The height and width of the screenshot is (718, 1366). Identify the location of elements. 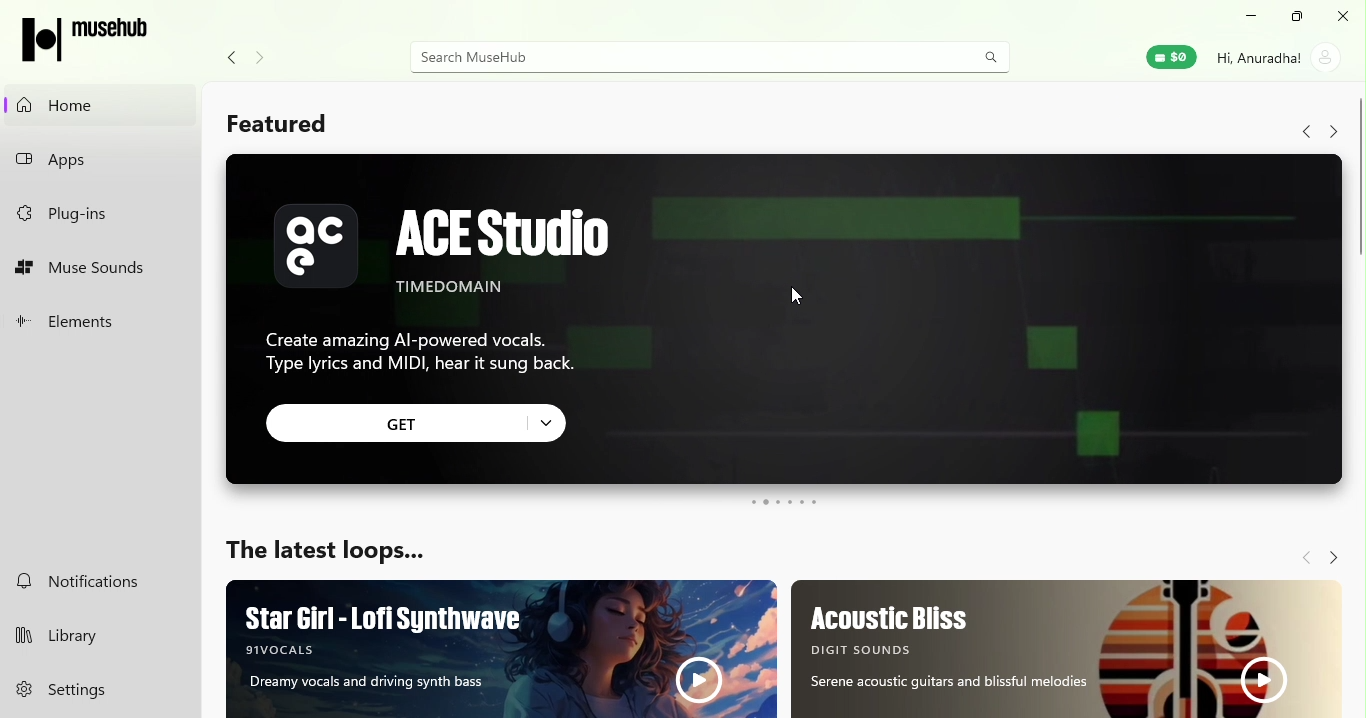
(104, 321).